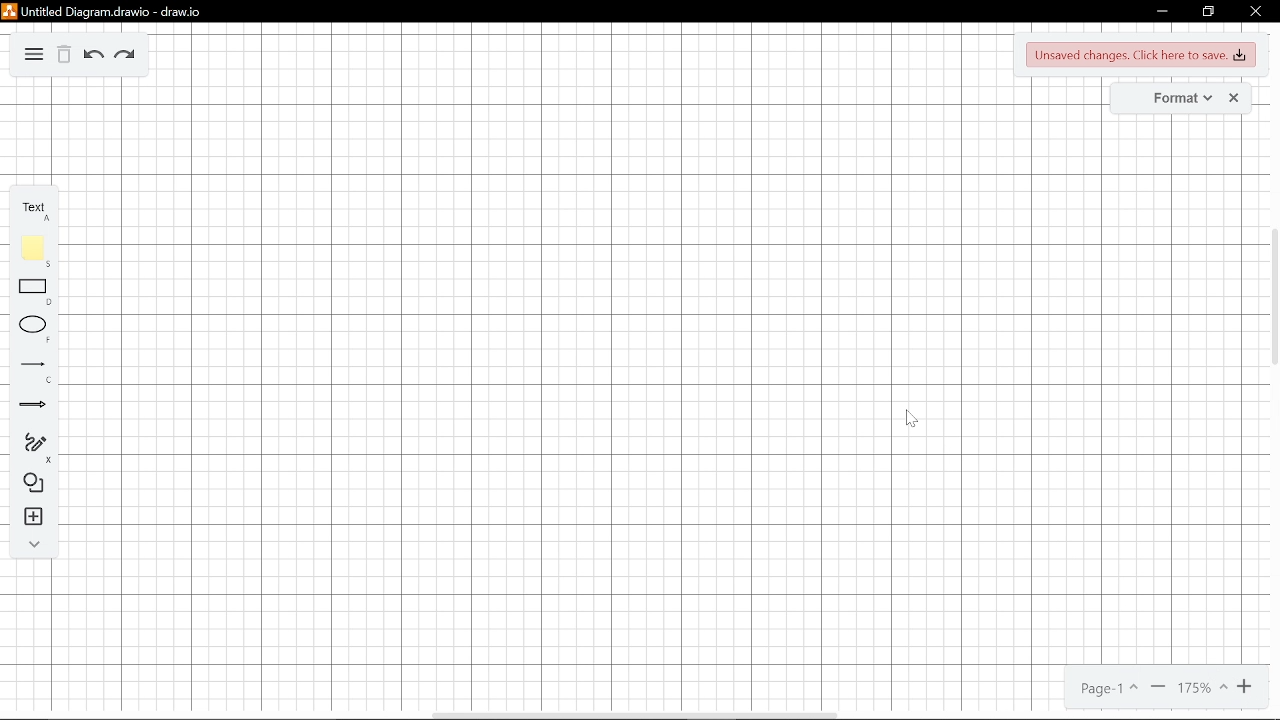 The height and width of the screenshot is (720, 1280). I want to click on close, so click(1255, 10).